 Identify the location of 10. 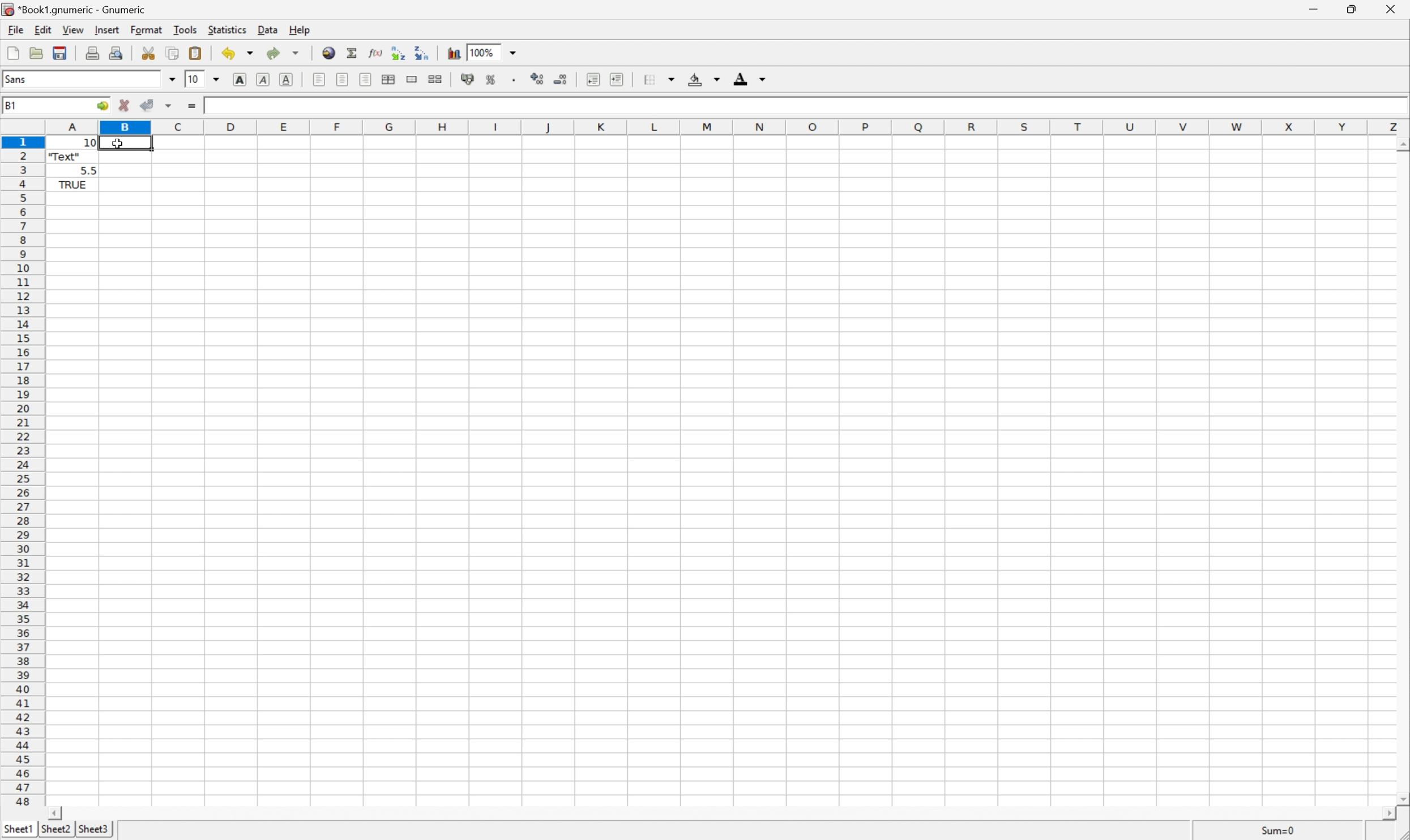
(211, 105).